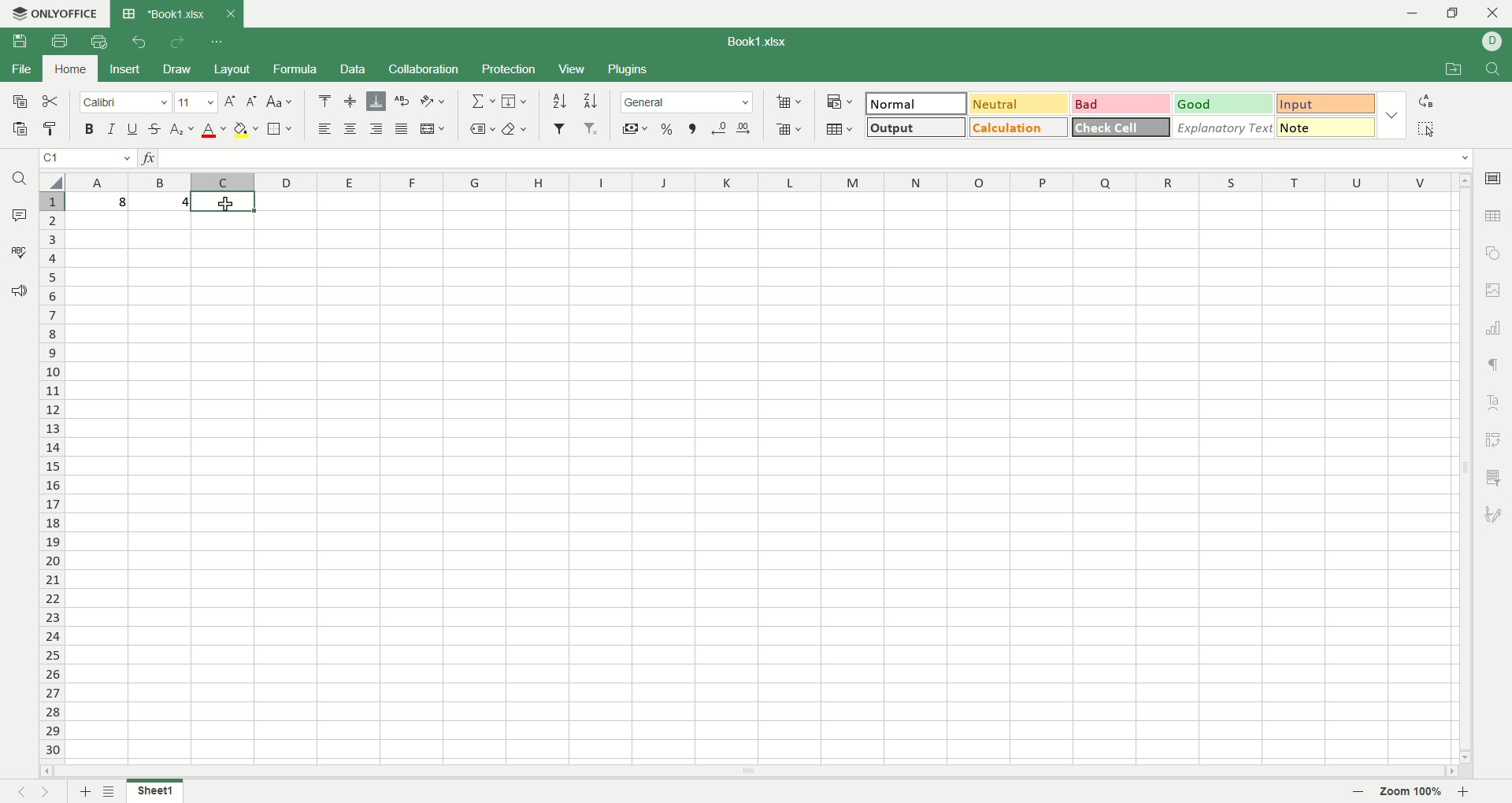 This screenshot has width=1512, height=803. Describe the element at coordinates (818, 159) in the screenshot. I see `input line` at that location.